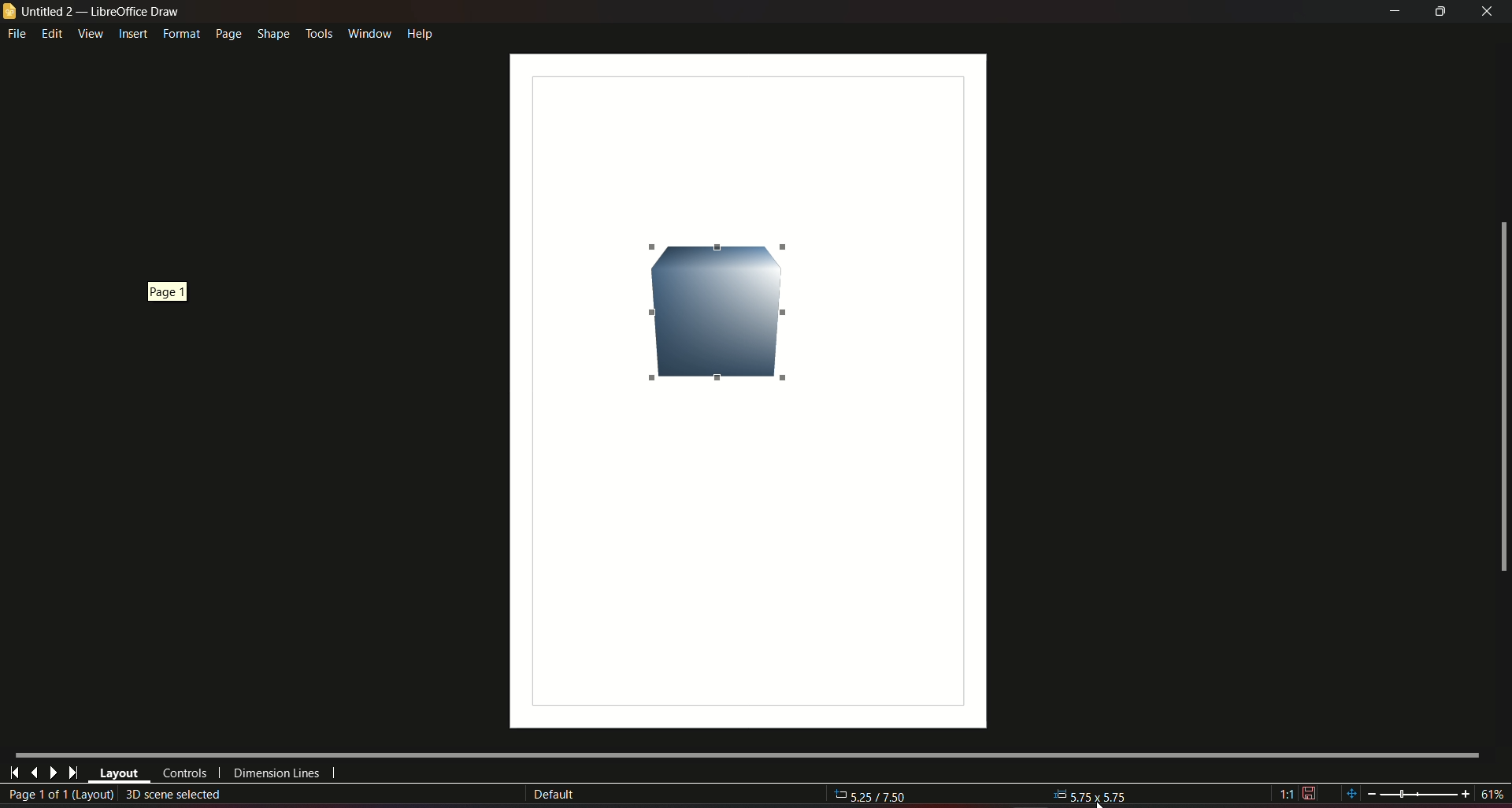  I want to click on last page, so click(72, 773).